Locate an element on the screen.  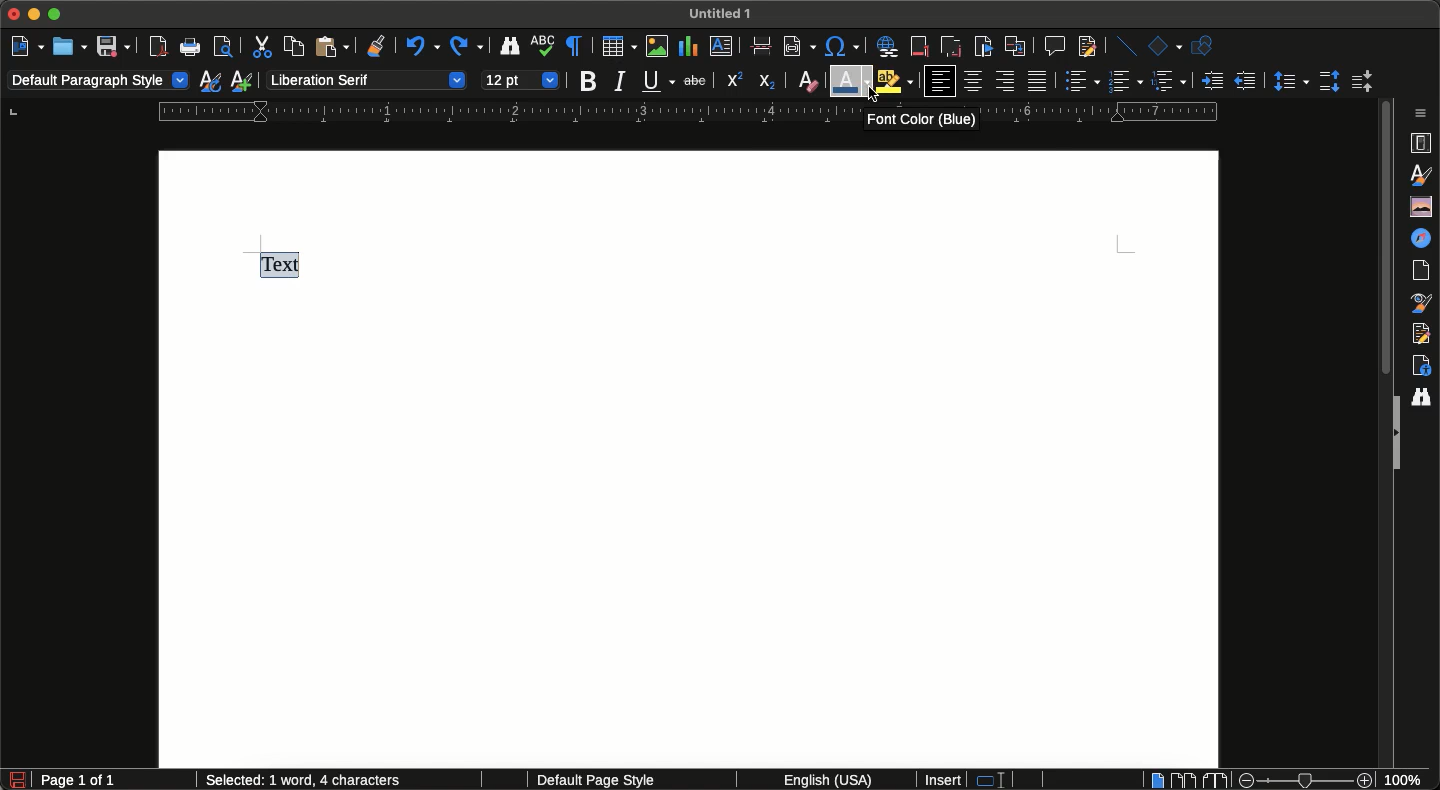
Increase is located at coordinates (1212, 80).